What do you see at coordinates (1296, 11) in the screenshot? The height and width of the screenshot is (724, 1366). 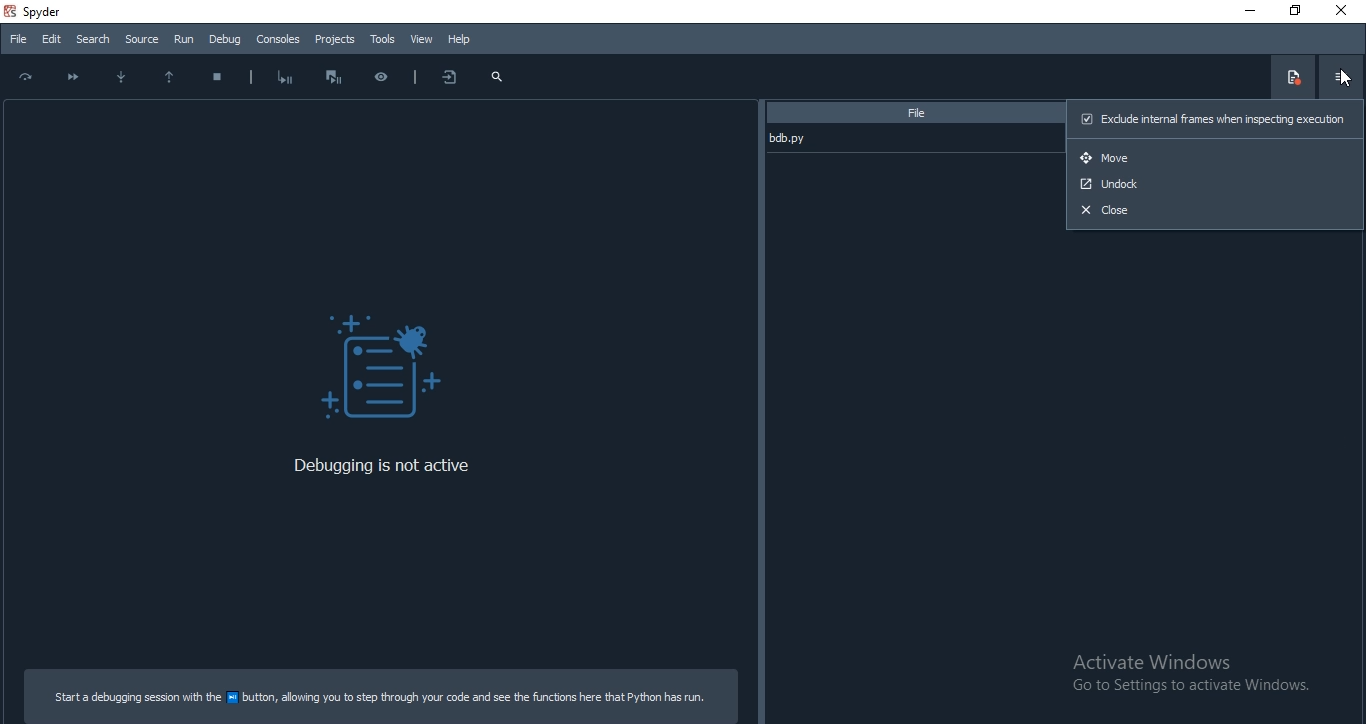 I see `Restore` at bounding box center [1296, 11].